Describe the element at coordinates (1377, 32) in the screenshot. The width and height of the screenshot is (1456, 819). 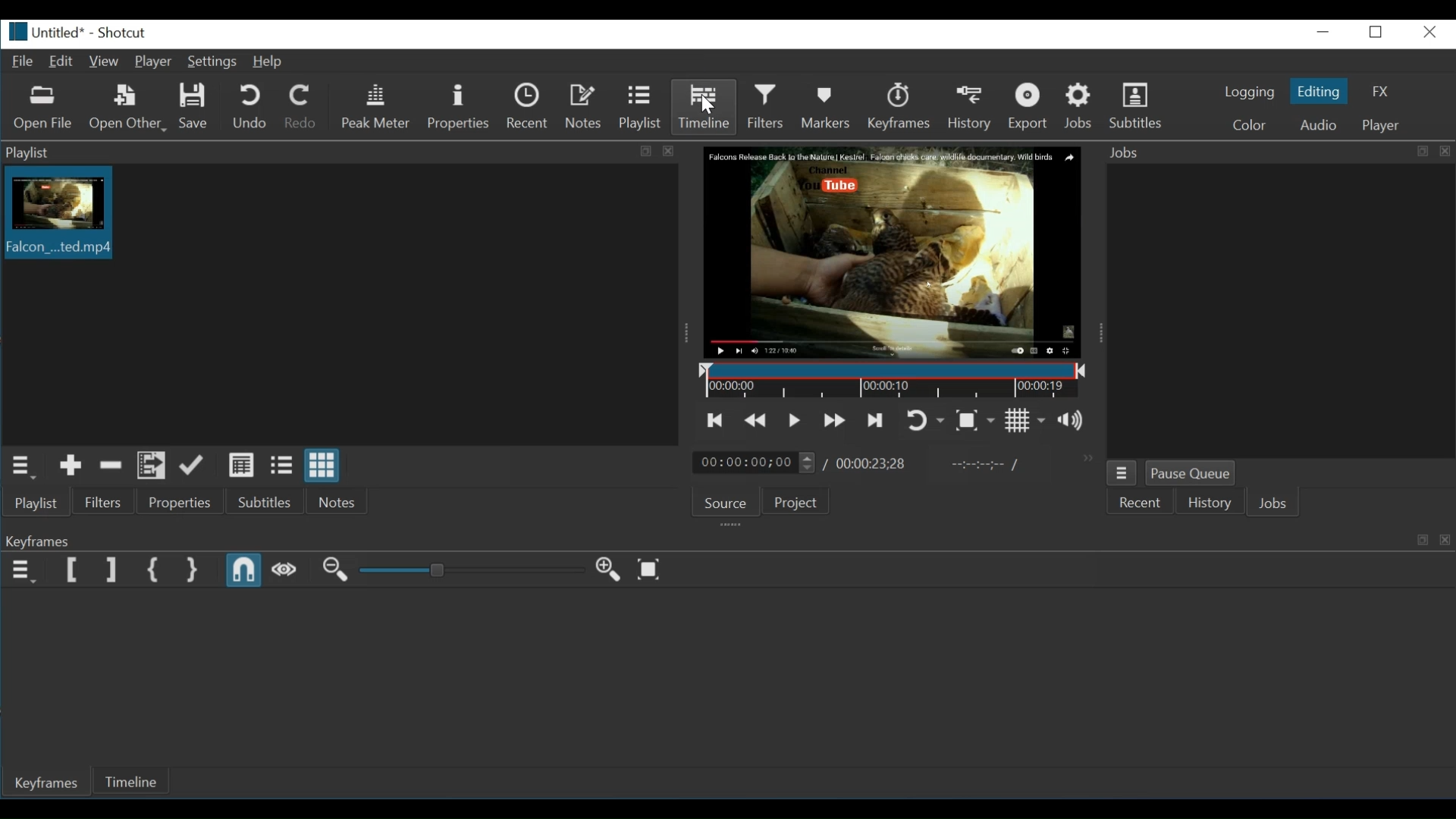
I see `Restore` at that location.